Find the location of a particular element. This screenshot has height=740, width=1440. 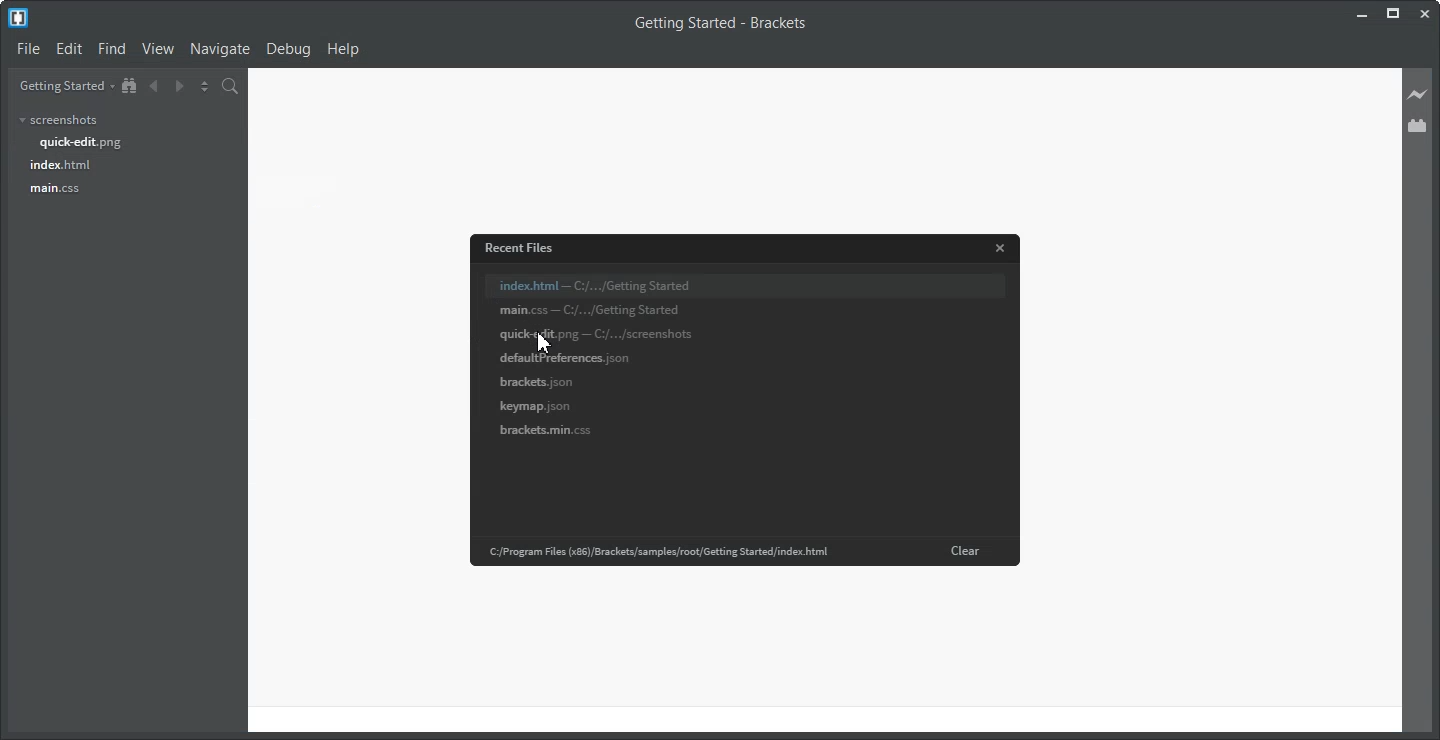

Extension Manager is located at coordinates (1419, 125).